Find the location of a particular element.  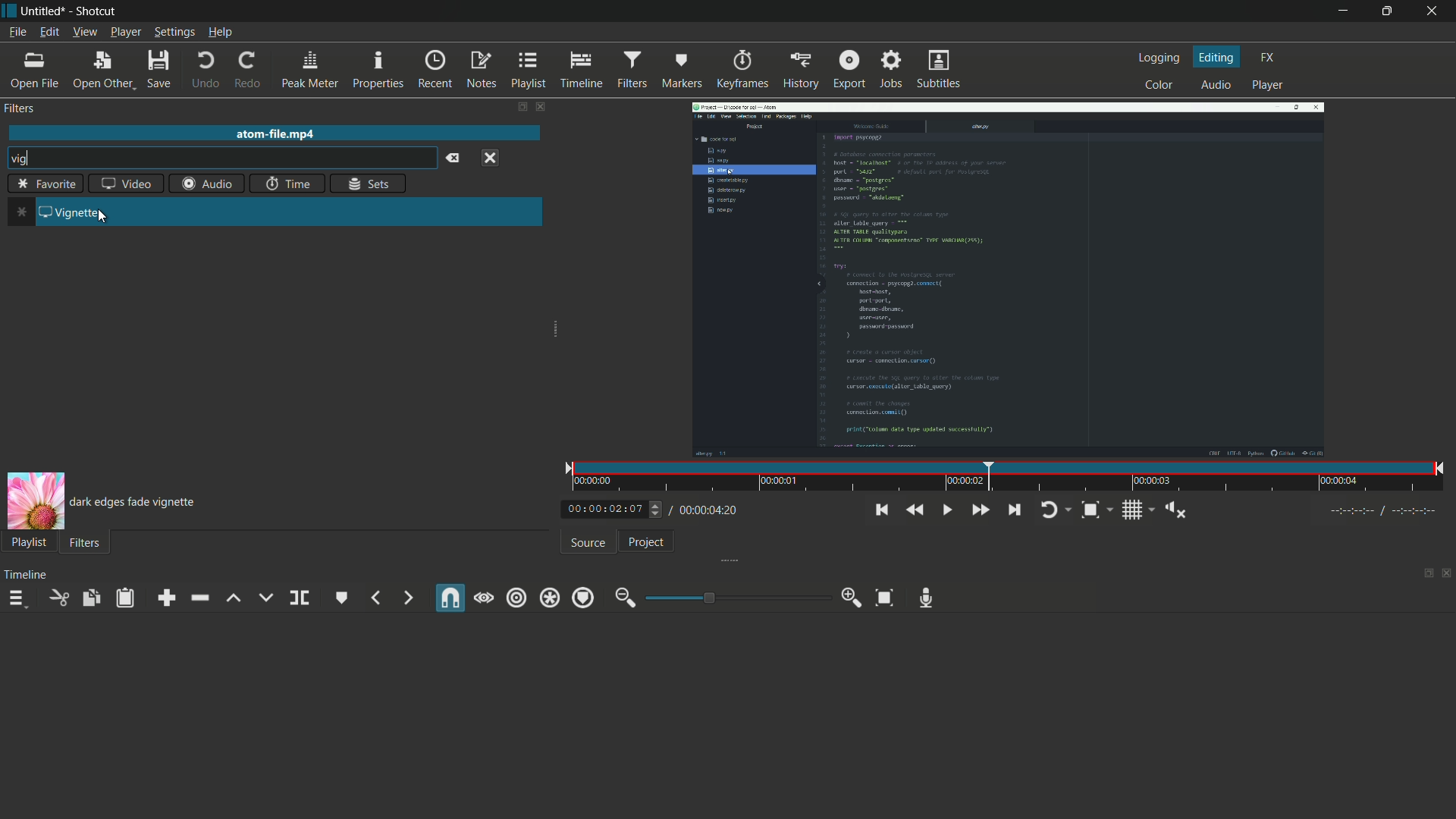

vignette is located at coordinates (77, 211).